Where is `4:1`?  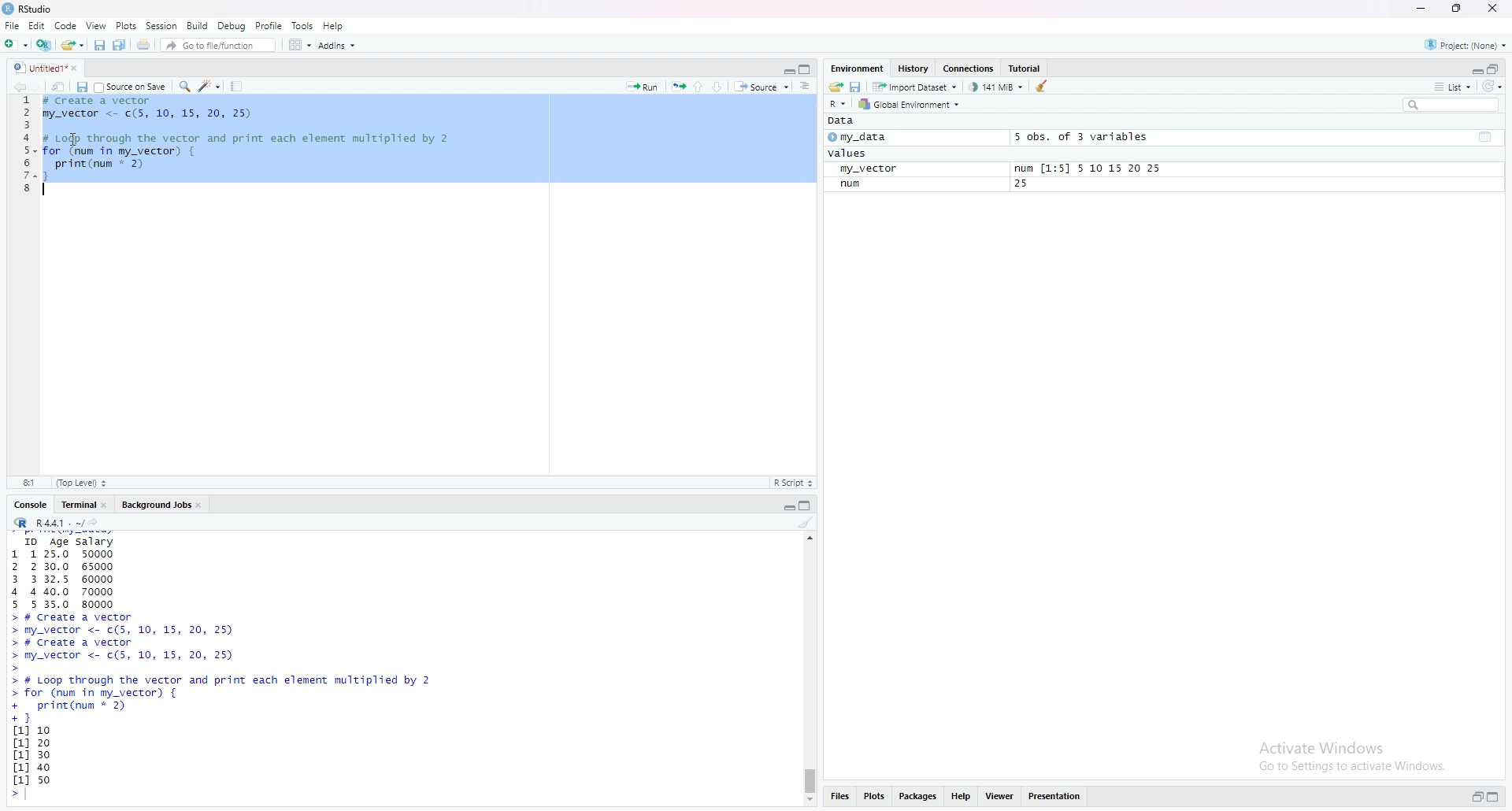
4:1 is located at coordinates (28, 483).